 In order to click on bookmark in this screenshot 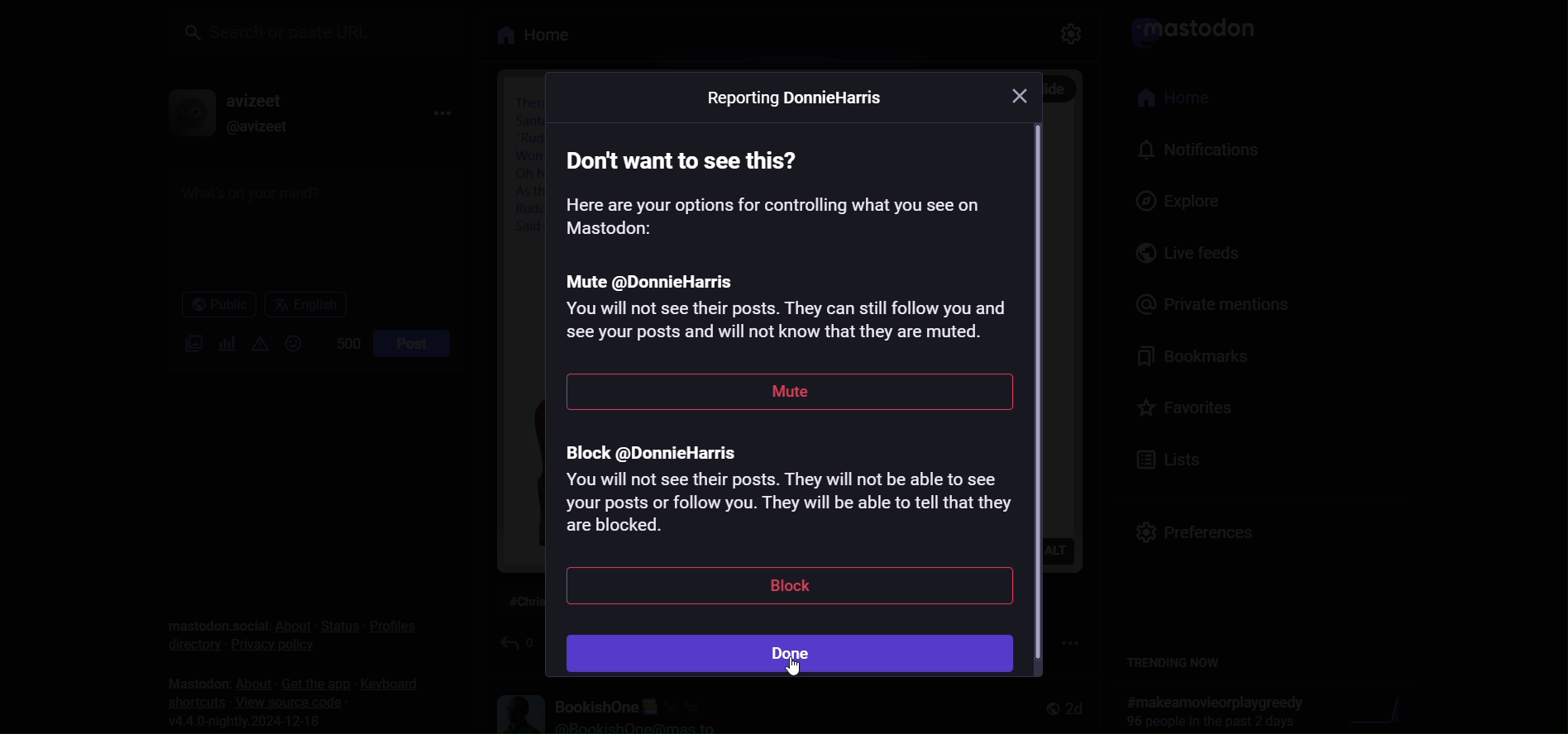, I will do `click(1187, 356)`.